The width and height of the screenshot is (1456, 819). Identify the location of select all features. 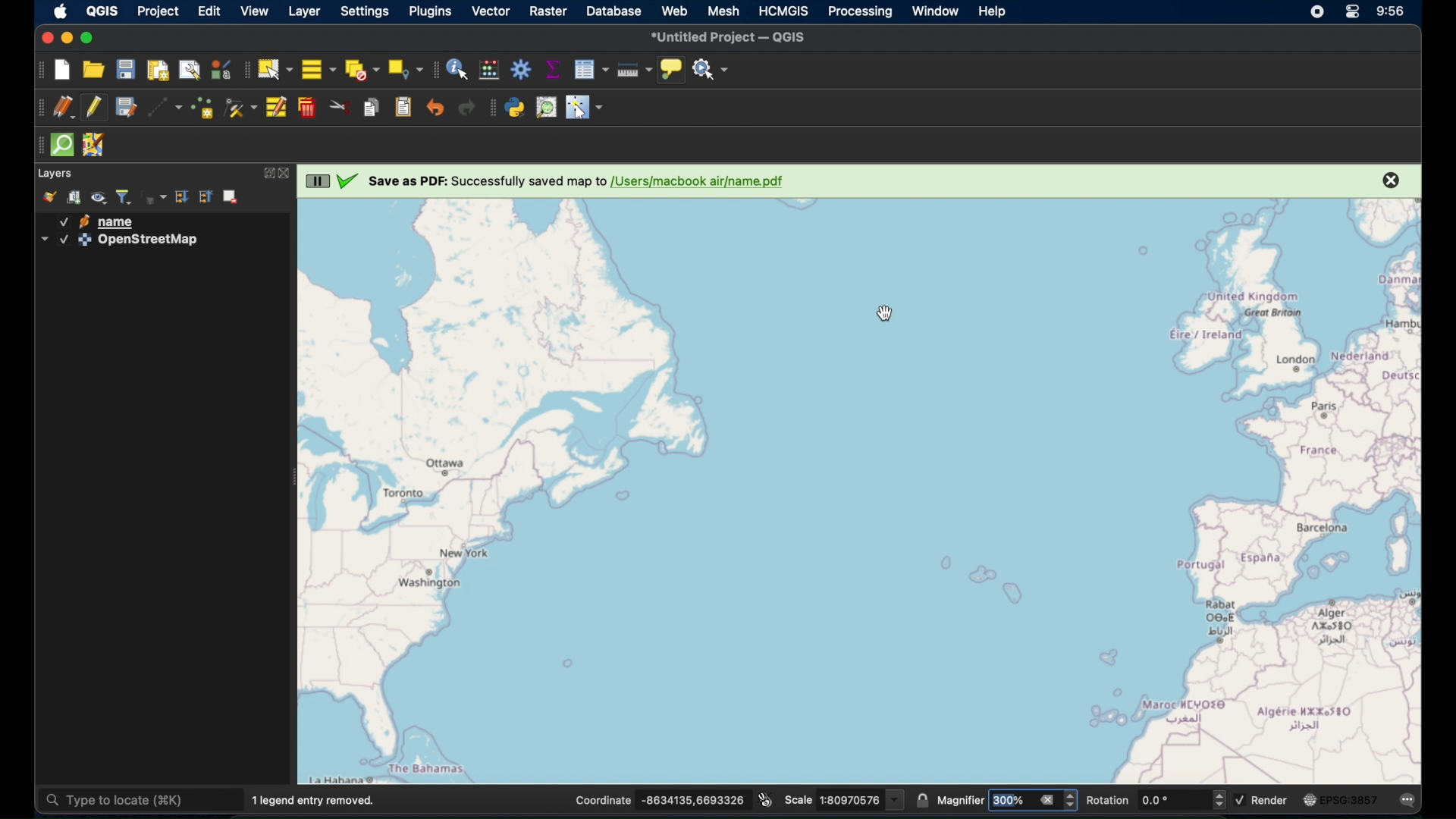
(318, 71).